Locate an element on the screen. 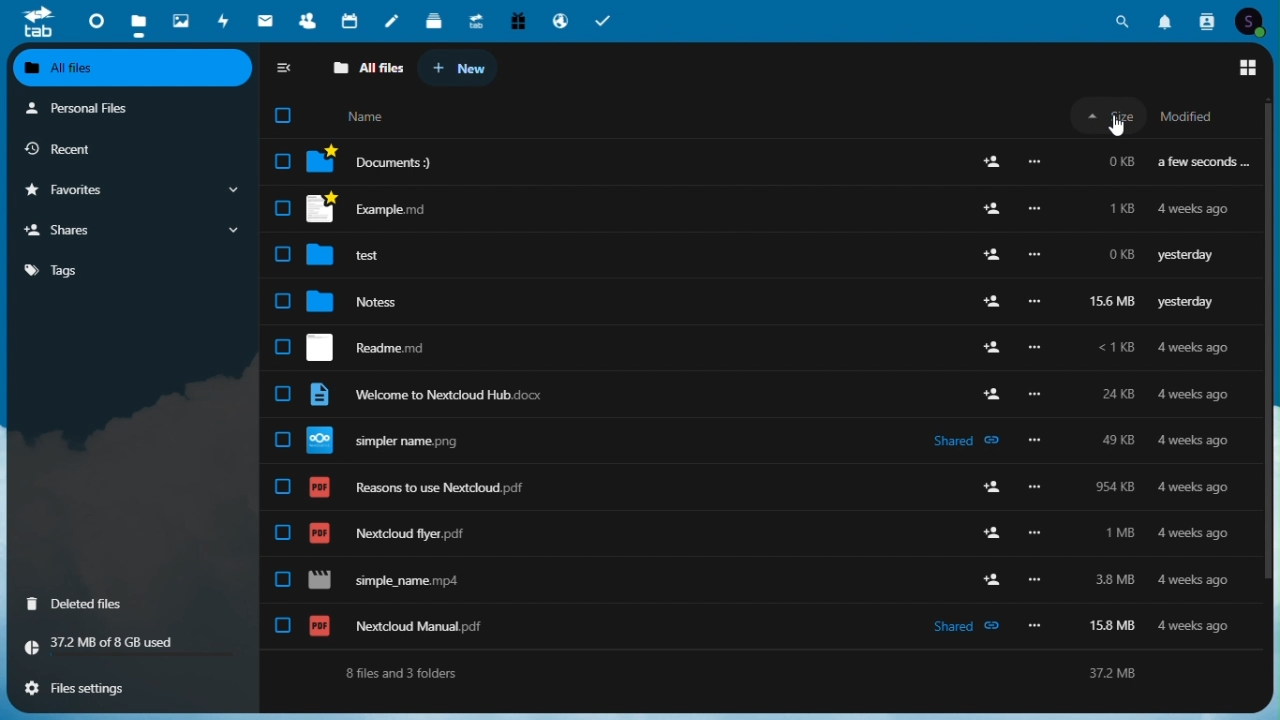 This screenshot has height=720, width=1280. email hosting is located at coordinates (560, 21).